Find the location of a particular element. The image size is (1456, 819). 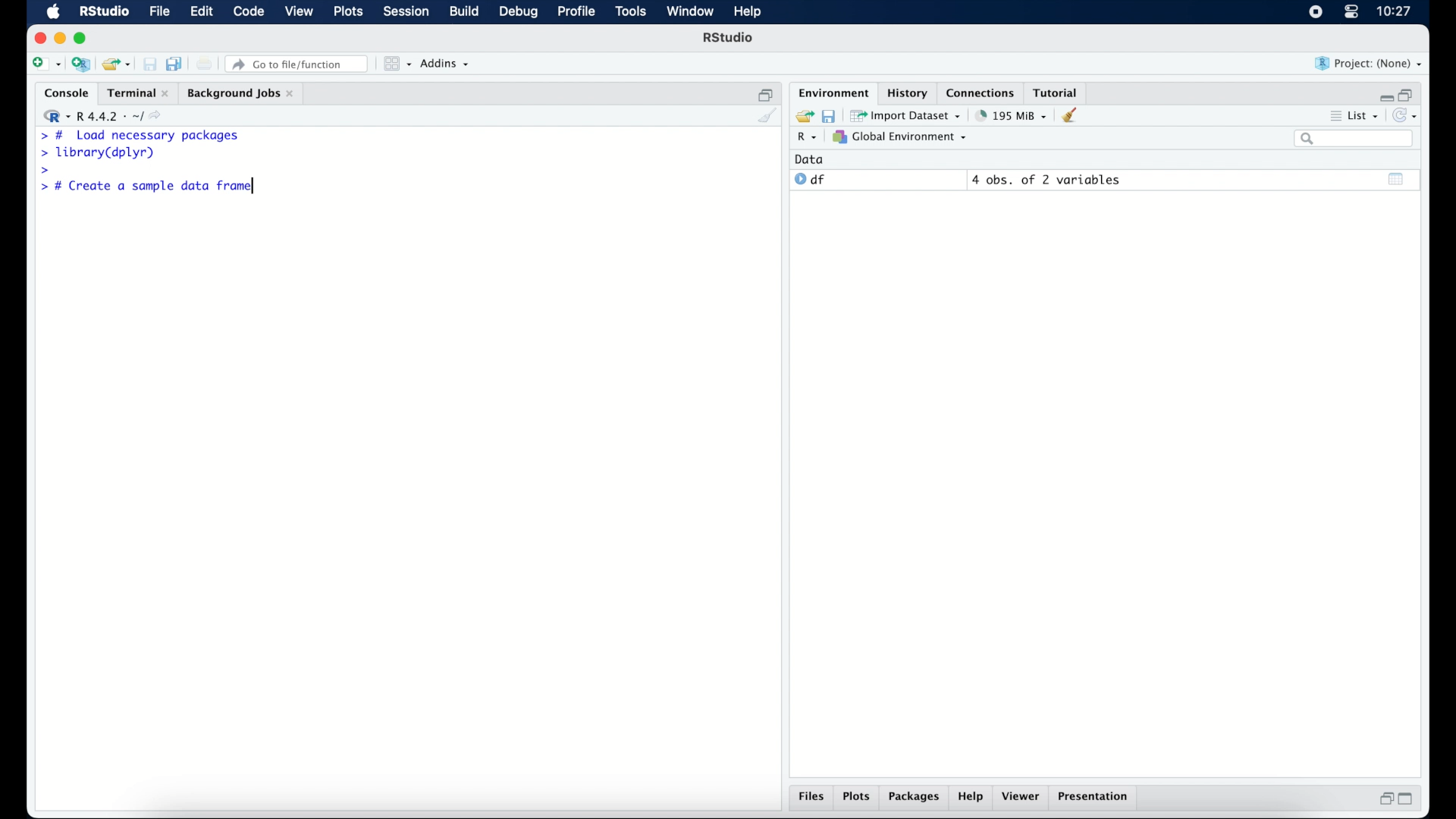

restore down is located at coordinates (1384, 800).